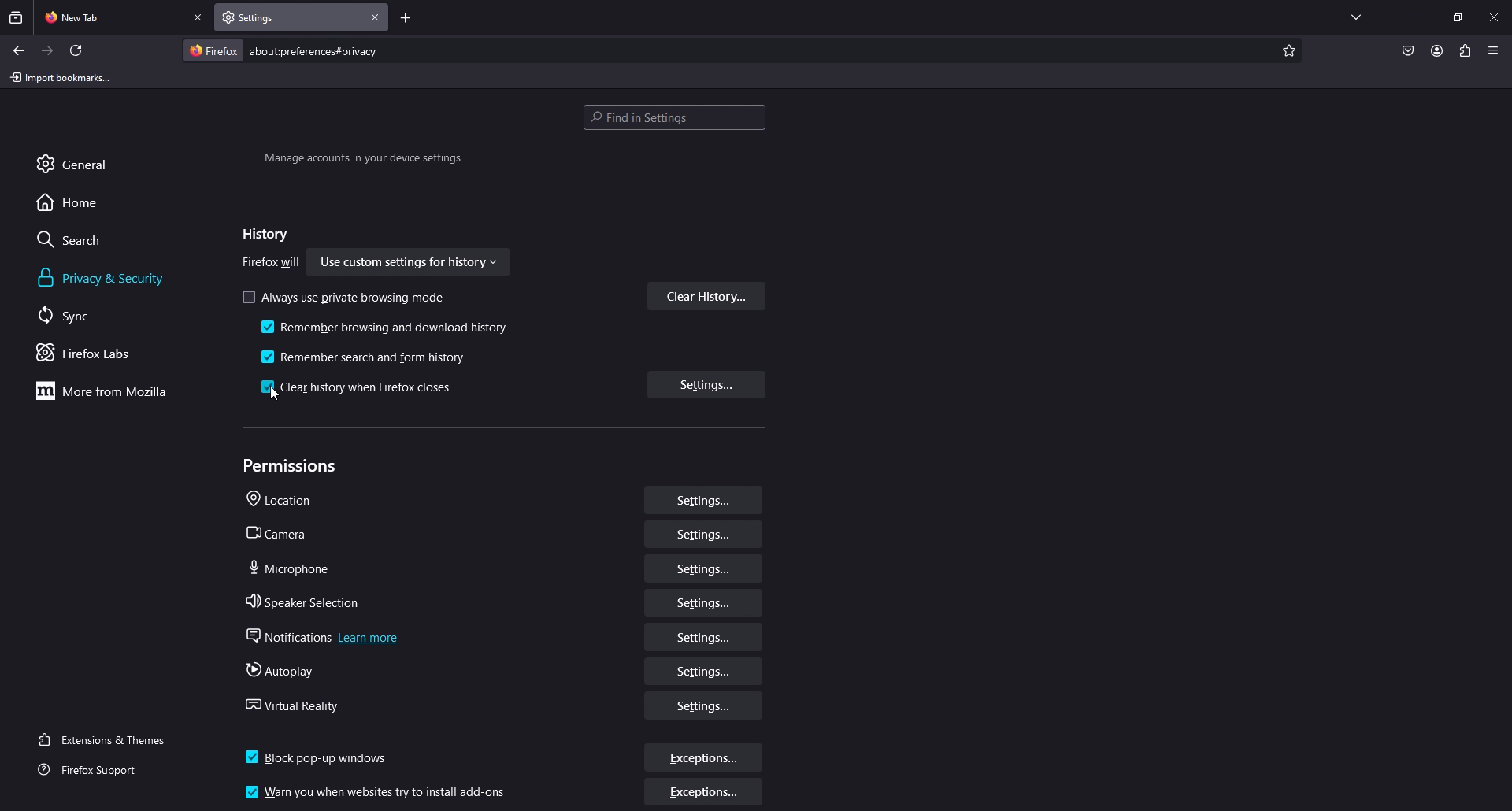  What do you see at coordinates (380, 791) in the screenshot?
I see `warn you when websites try install add ons` at bounding box center [380, 791].